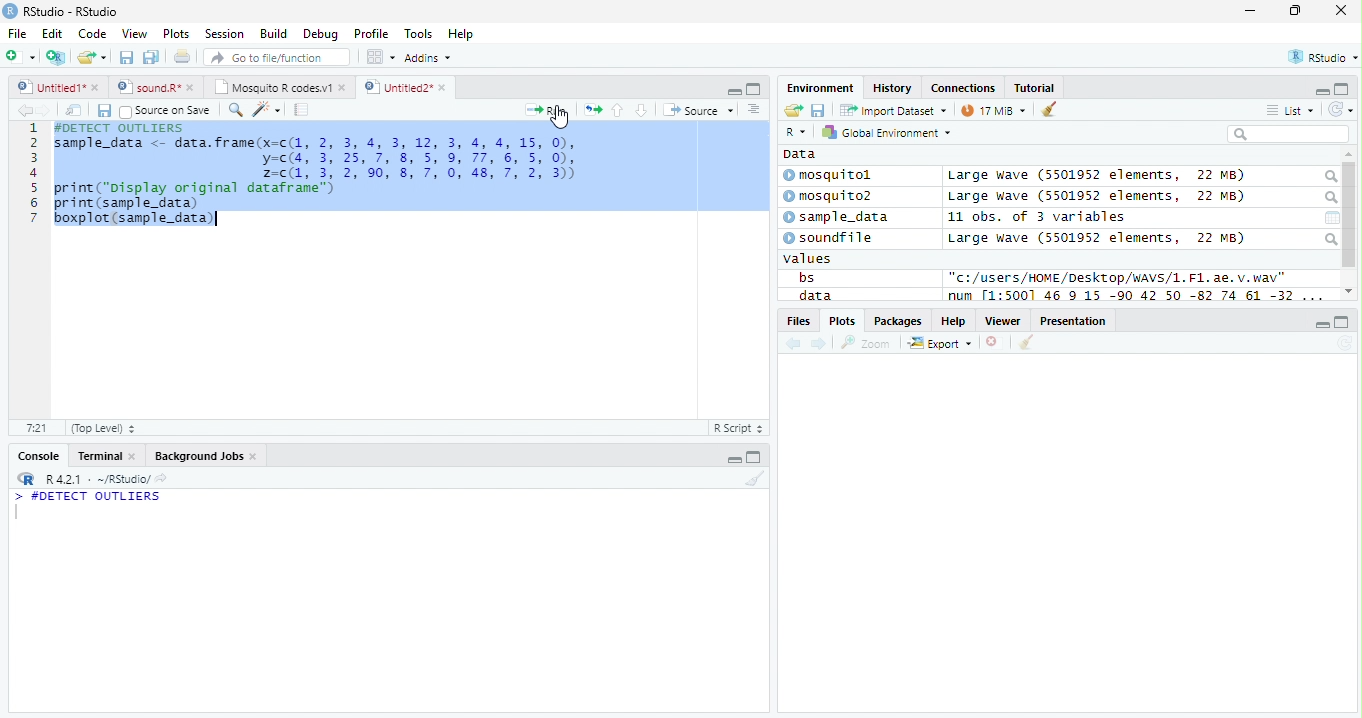 The height and width of the screenshot is (718, 1362). I want to click on Save the current document, so click(126, 57).